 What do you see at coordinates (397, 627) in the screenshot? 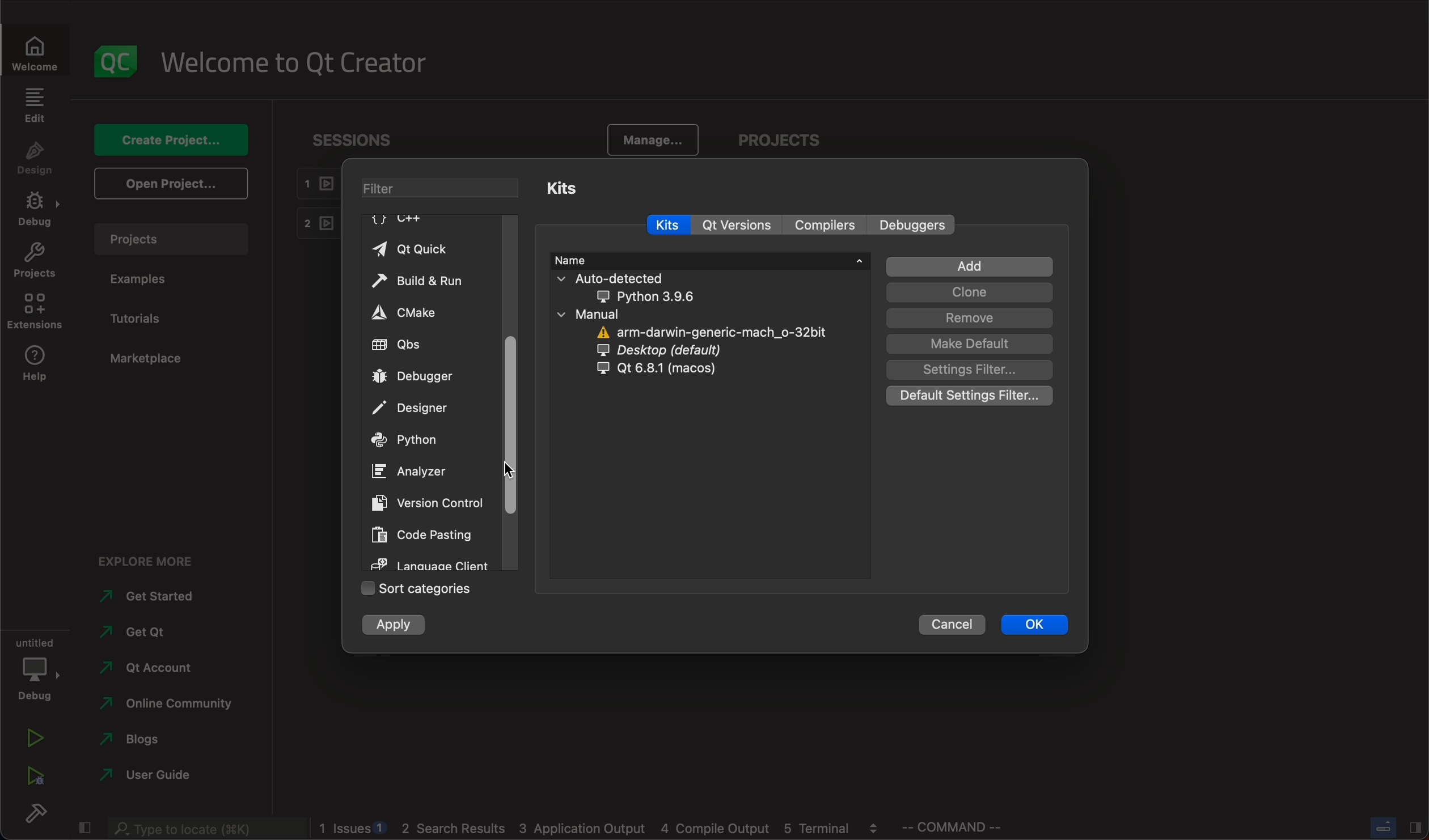
I see `apply` at bounding box center [397, 627].